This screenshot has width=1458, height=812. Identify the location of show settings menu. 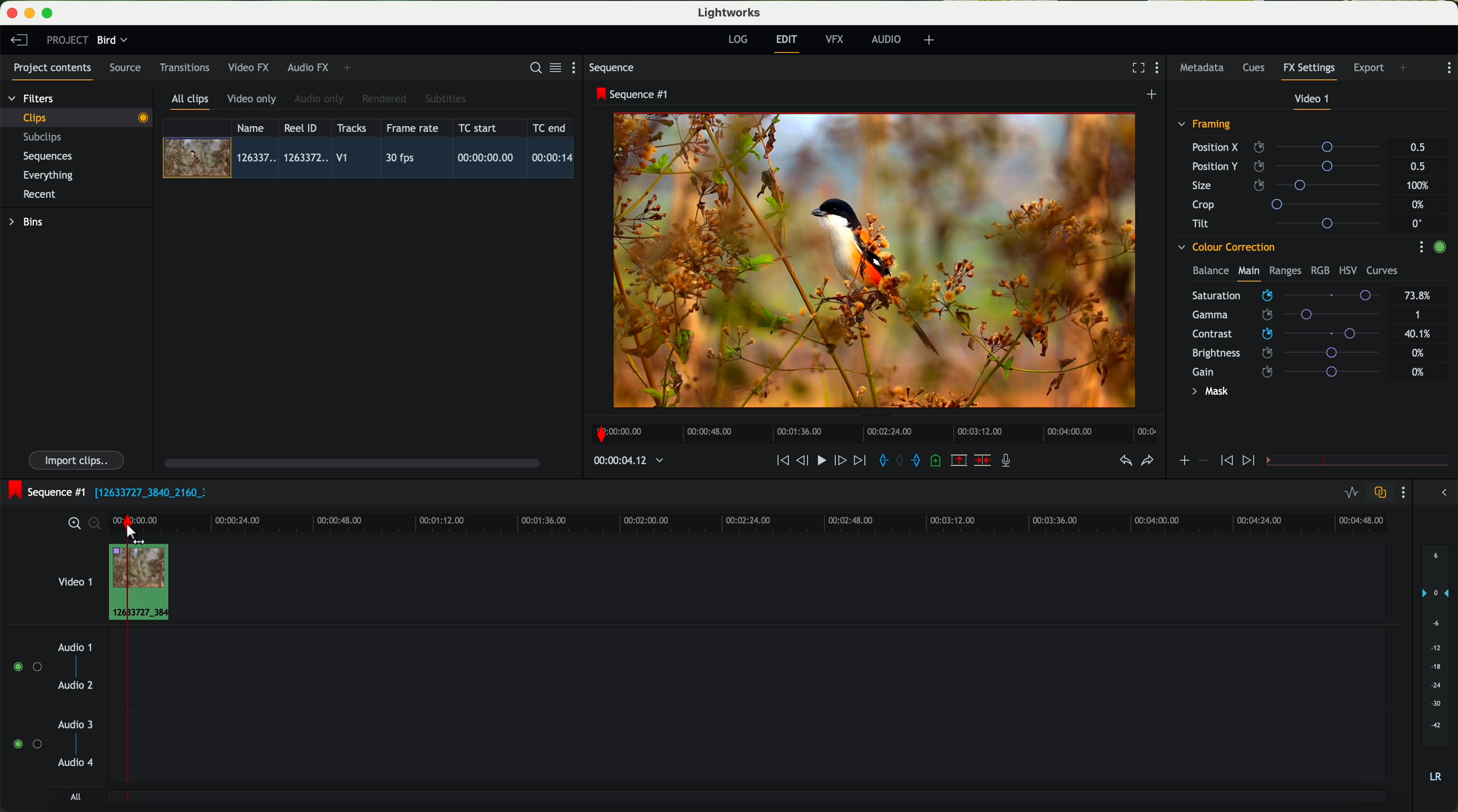
(1448, 68).